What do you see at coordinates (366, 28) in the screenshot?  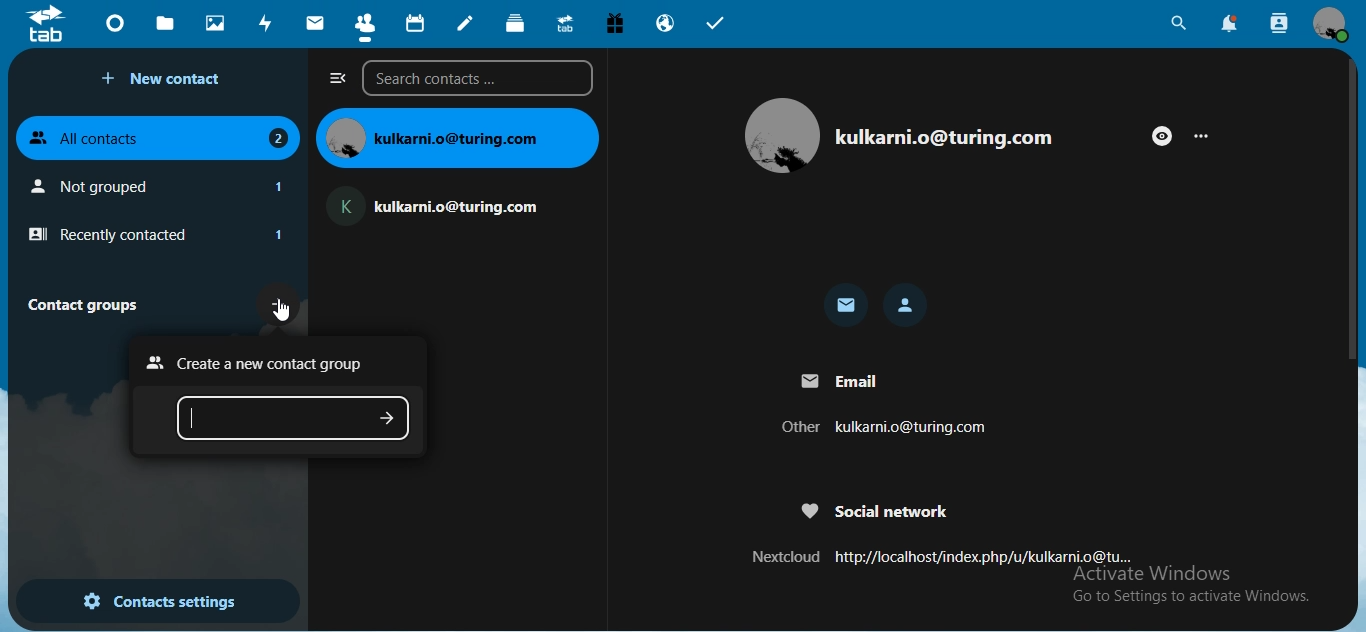 I see `contacts` at bounding box center [366, 28].